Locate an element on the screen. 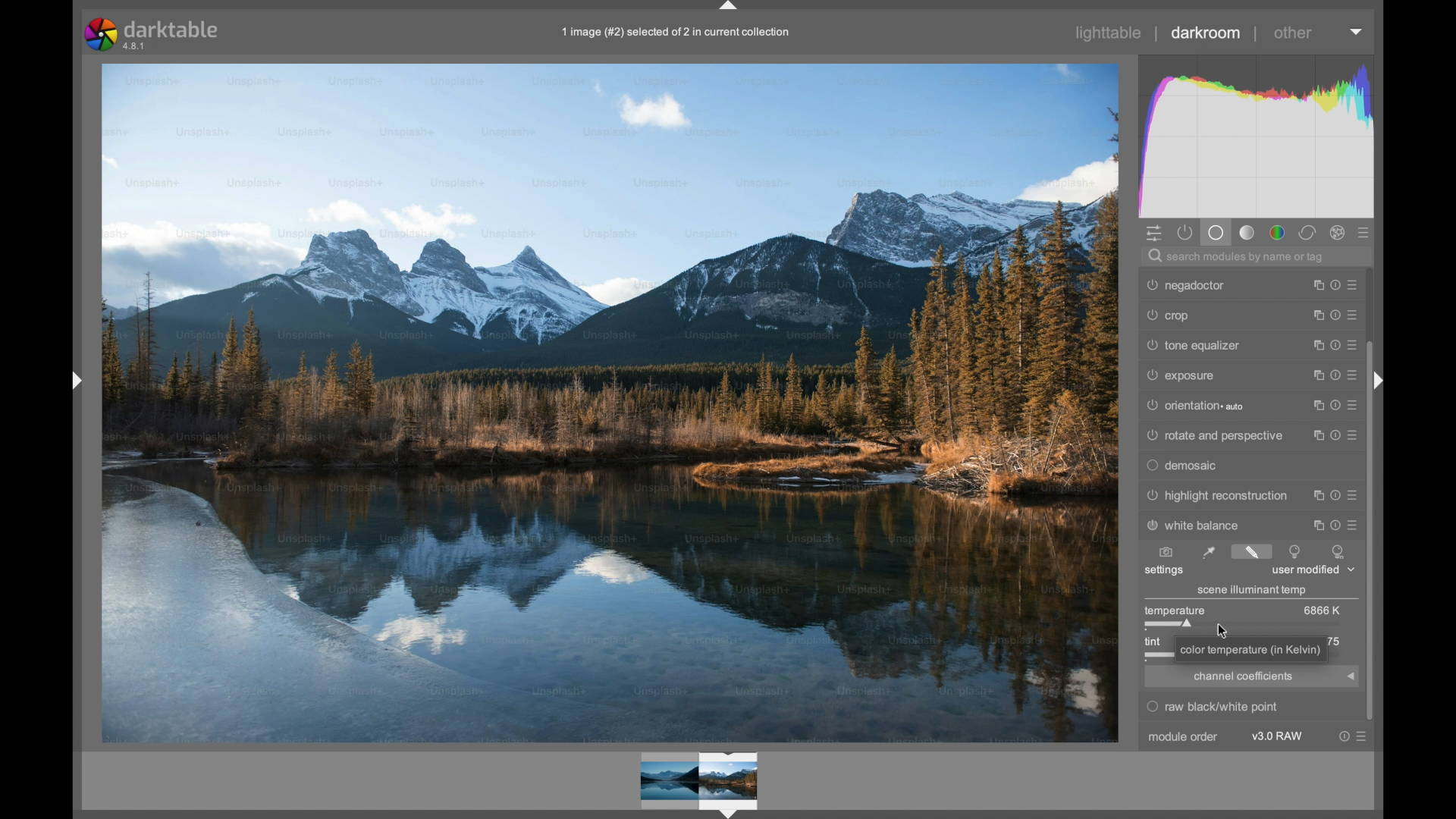 The height and width of the screenshot is (819, 1456). raw black/white point is located at coordinates (1216, 706).